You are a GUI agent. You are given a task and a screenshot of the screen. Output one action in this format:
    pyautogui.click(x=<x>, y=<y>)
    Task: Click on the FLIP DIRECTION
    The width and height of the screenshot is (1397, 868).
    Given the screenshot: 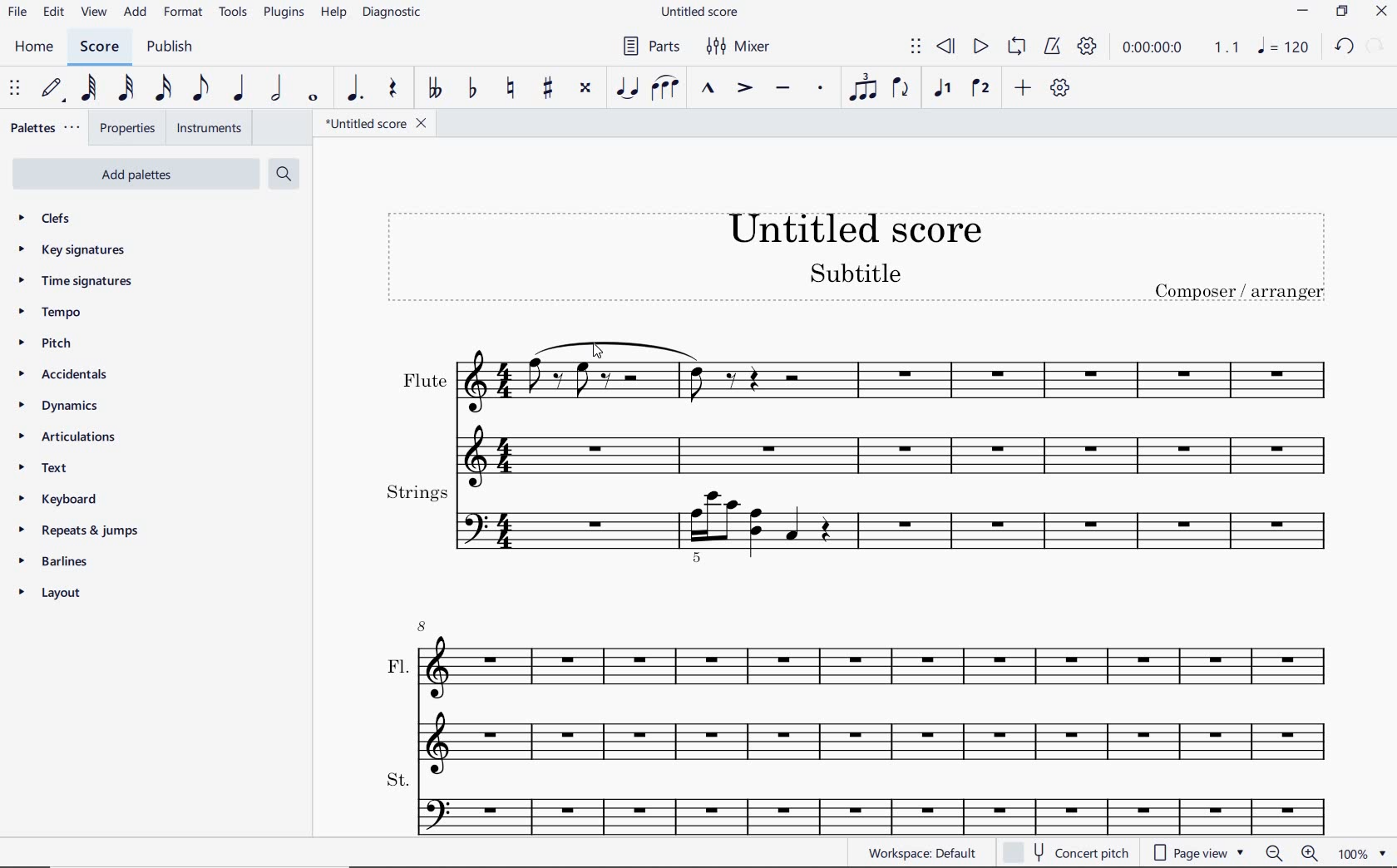 What is the action you would take?
    pyautogui.click(x=903, y=92)
    